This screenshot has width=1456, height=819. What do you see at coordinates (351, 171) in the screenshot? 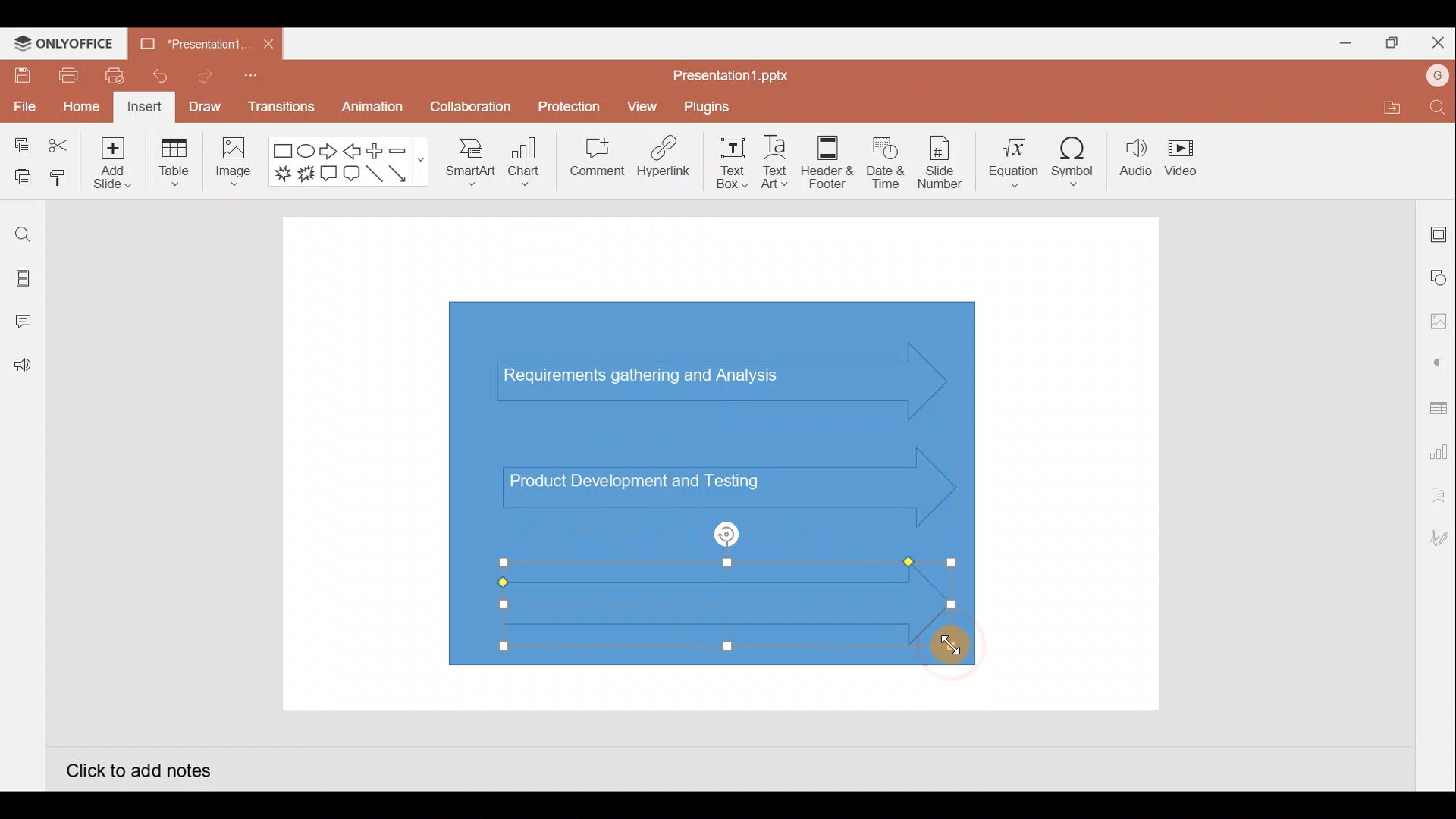
I see `Rounded Rectangular callout` at bounding box center [351, 171].